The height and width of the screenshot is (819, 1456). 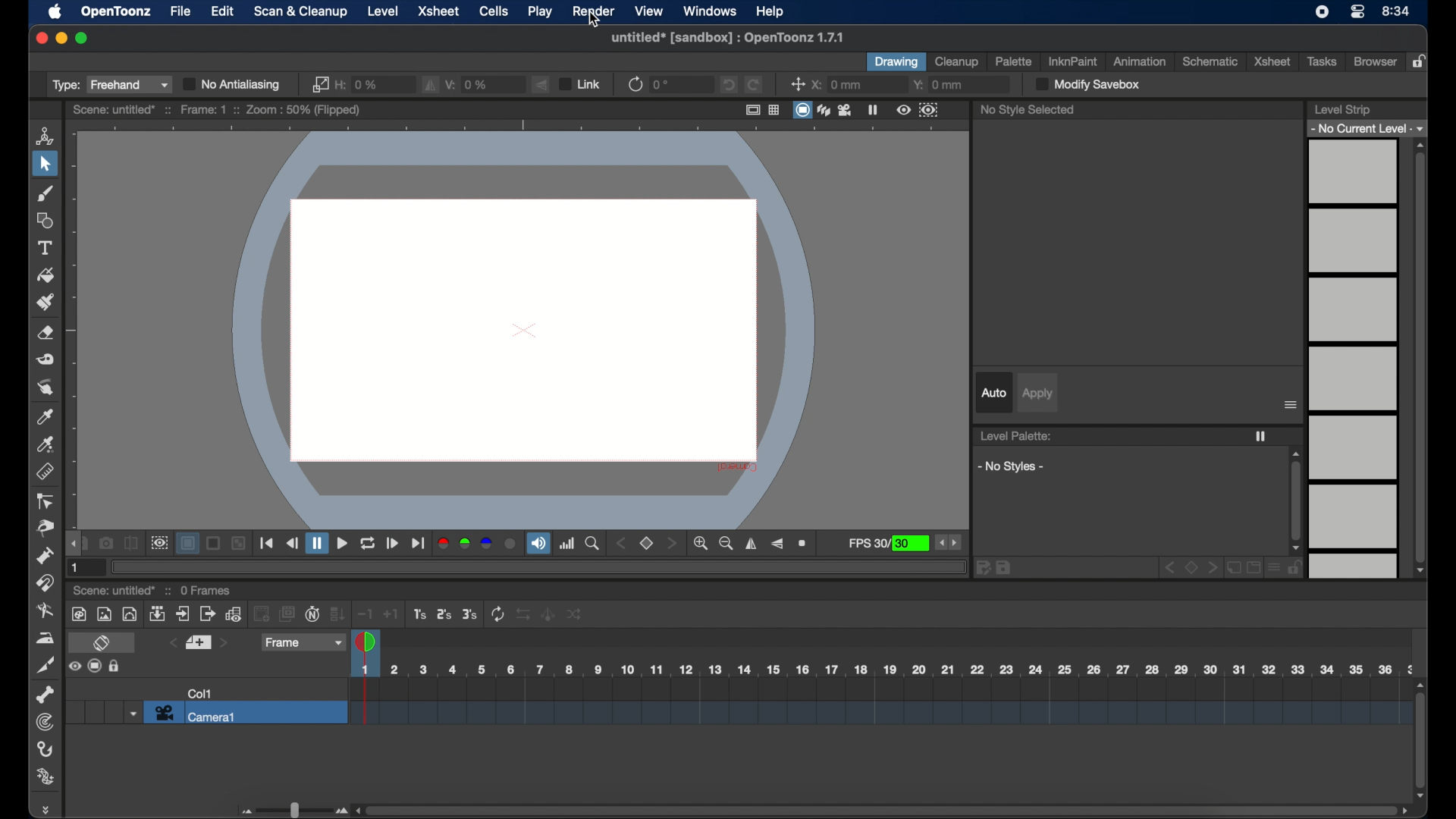 I want to click on modify save box, so click(x=1086, y=84).